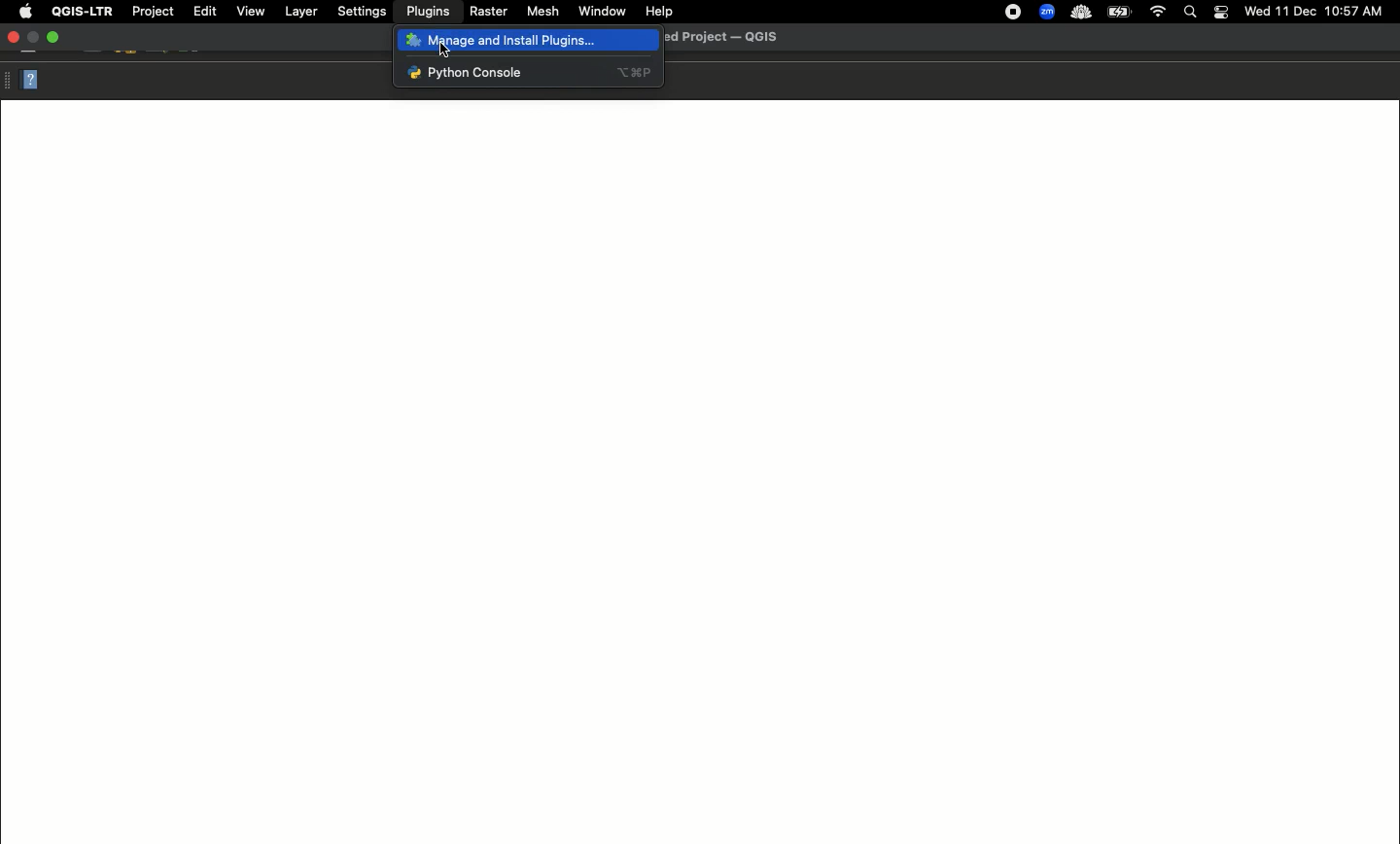 This screenshot has height=844, width=1400. What do you see at coordinates (1190, 13) in the screenshot?
I see `Search` at bounding box center [1190, 13].